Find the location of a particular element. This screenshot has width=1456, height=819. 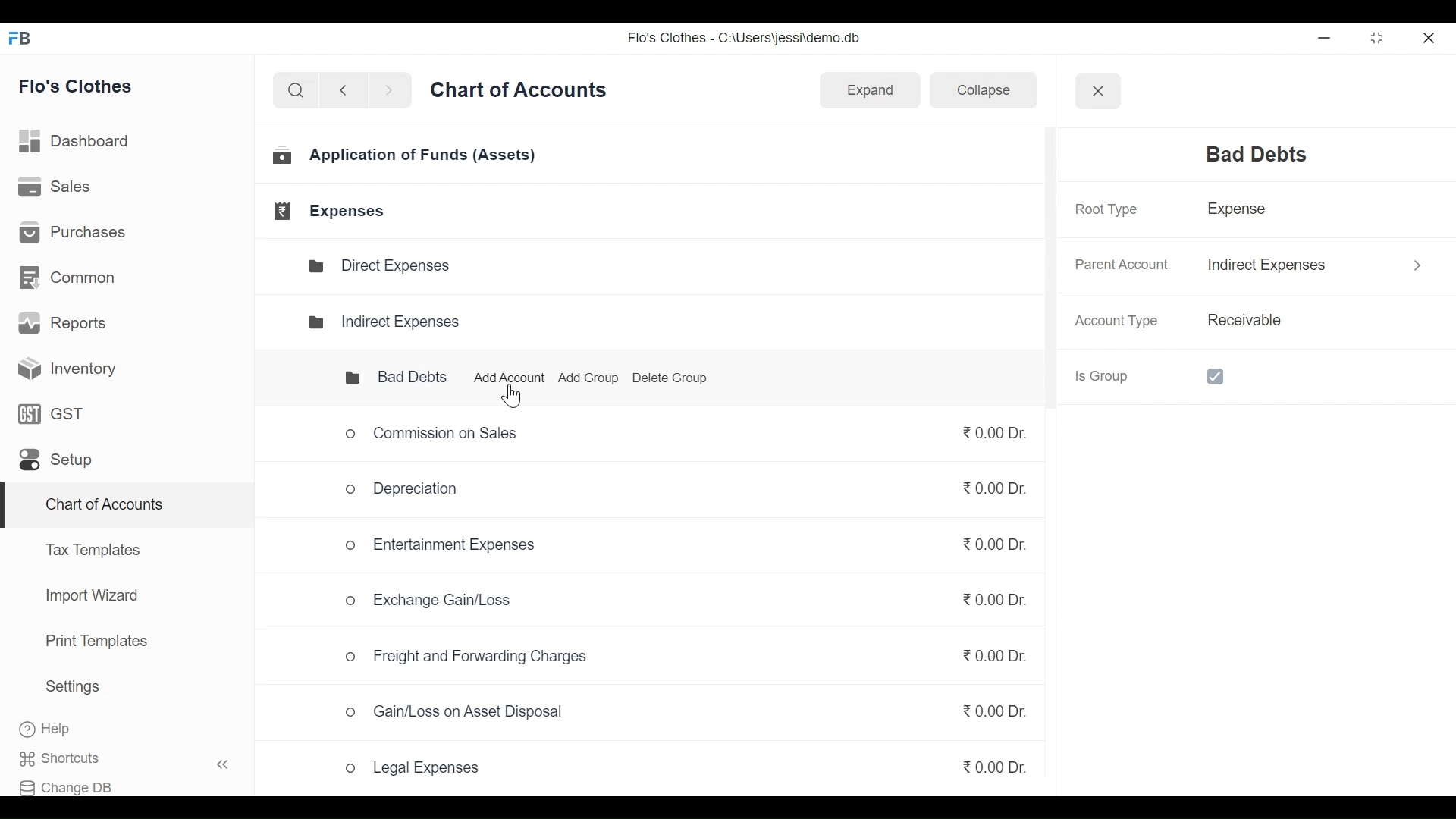

₹0.00 Dr. is located at coordinates (987, 711).